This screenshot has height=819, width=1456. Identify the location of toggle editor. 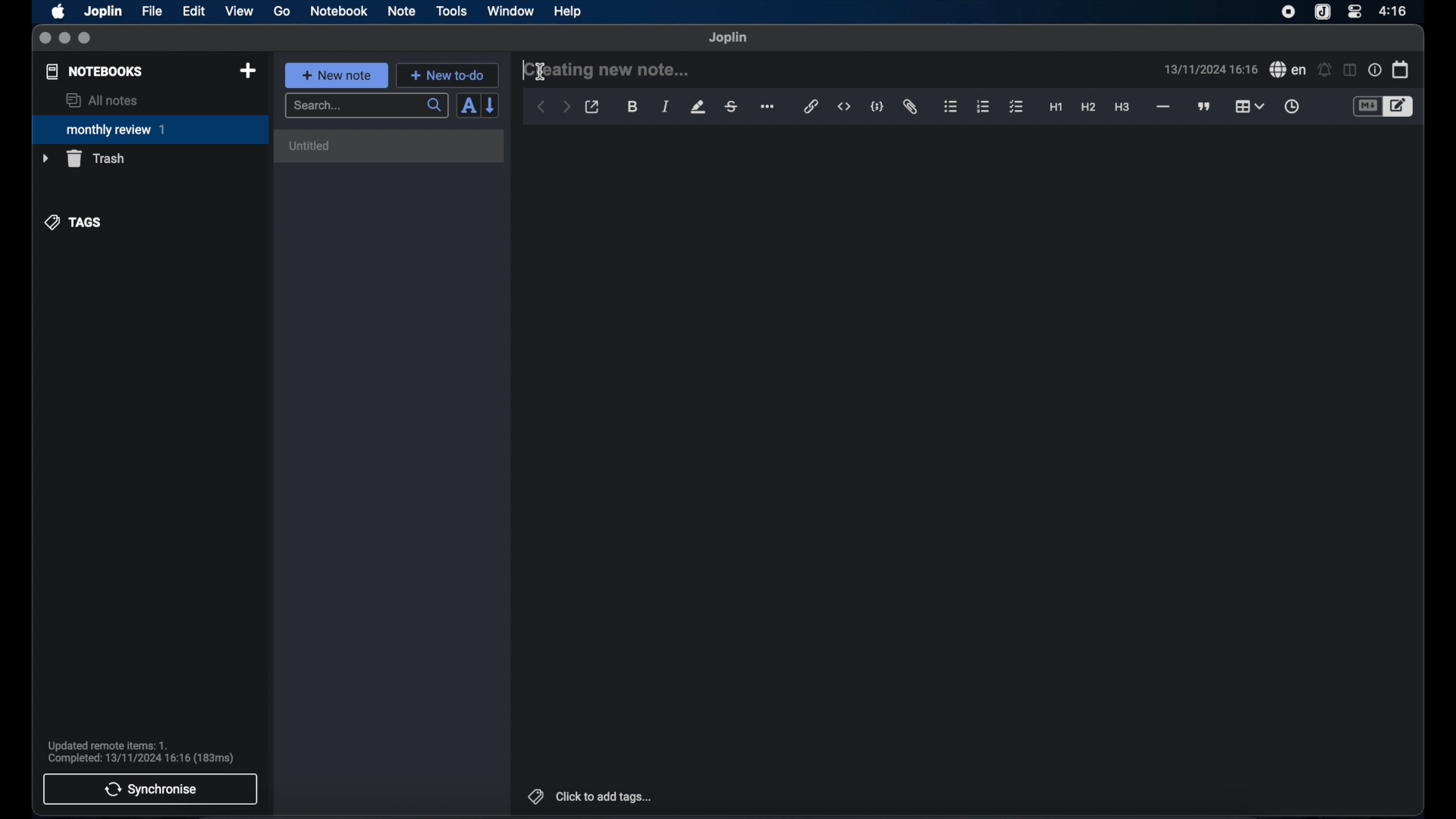
(1401, 107).